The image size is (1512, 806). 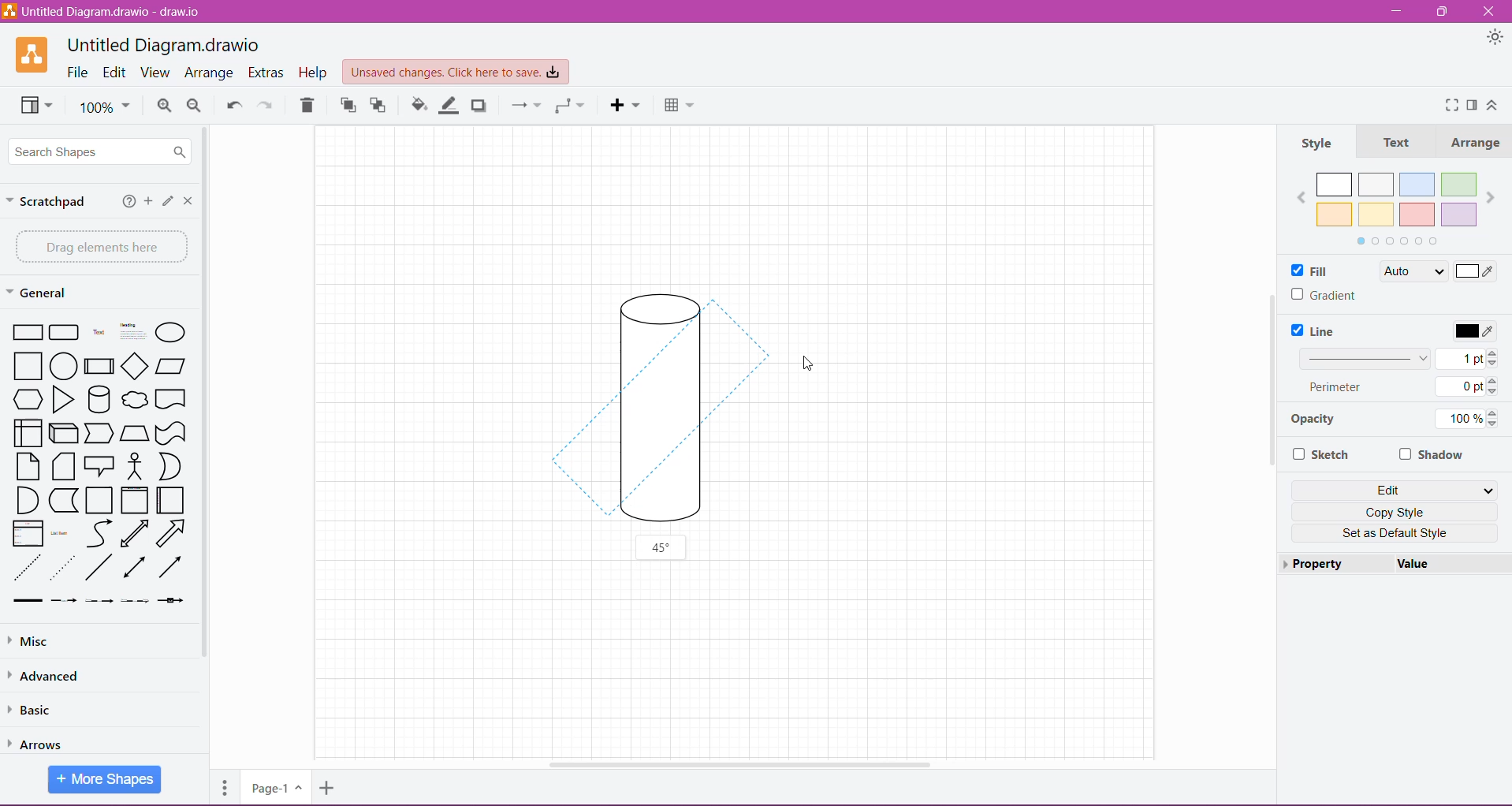 What do you see at coordinates (24, 55) in the screenshot?
I see `Application Logo` at bounding box center [24, 55].